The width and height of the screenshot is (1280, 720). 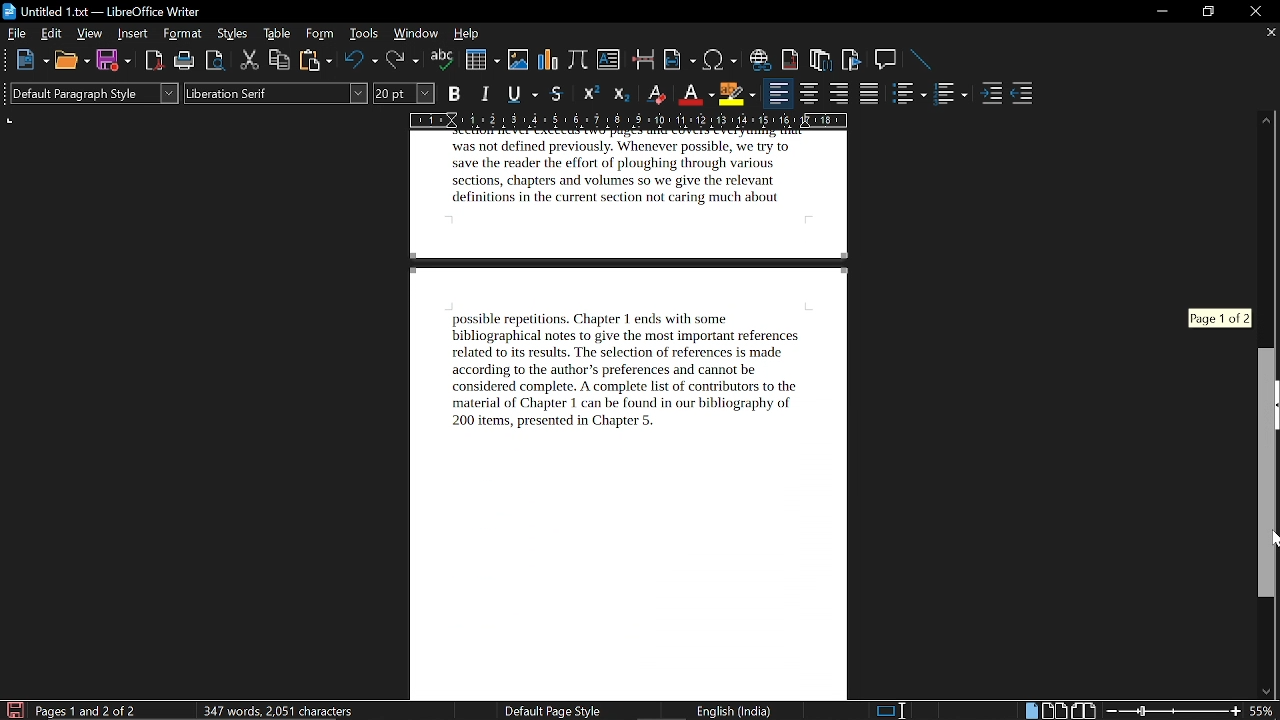 What do you see at coordinates (1172, 711) in the screenshot?
I see `change zoom` at bounding box center [1172, 711].